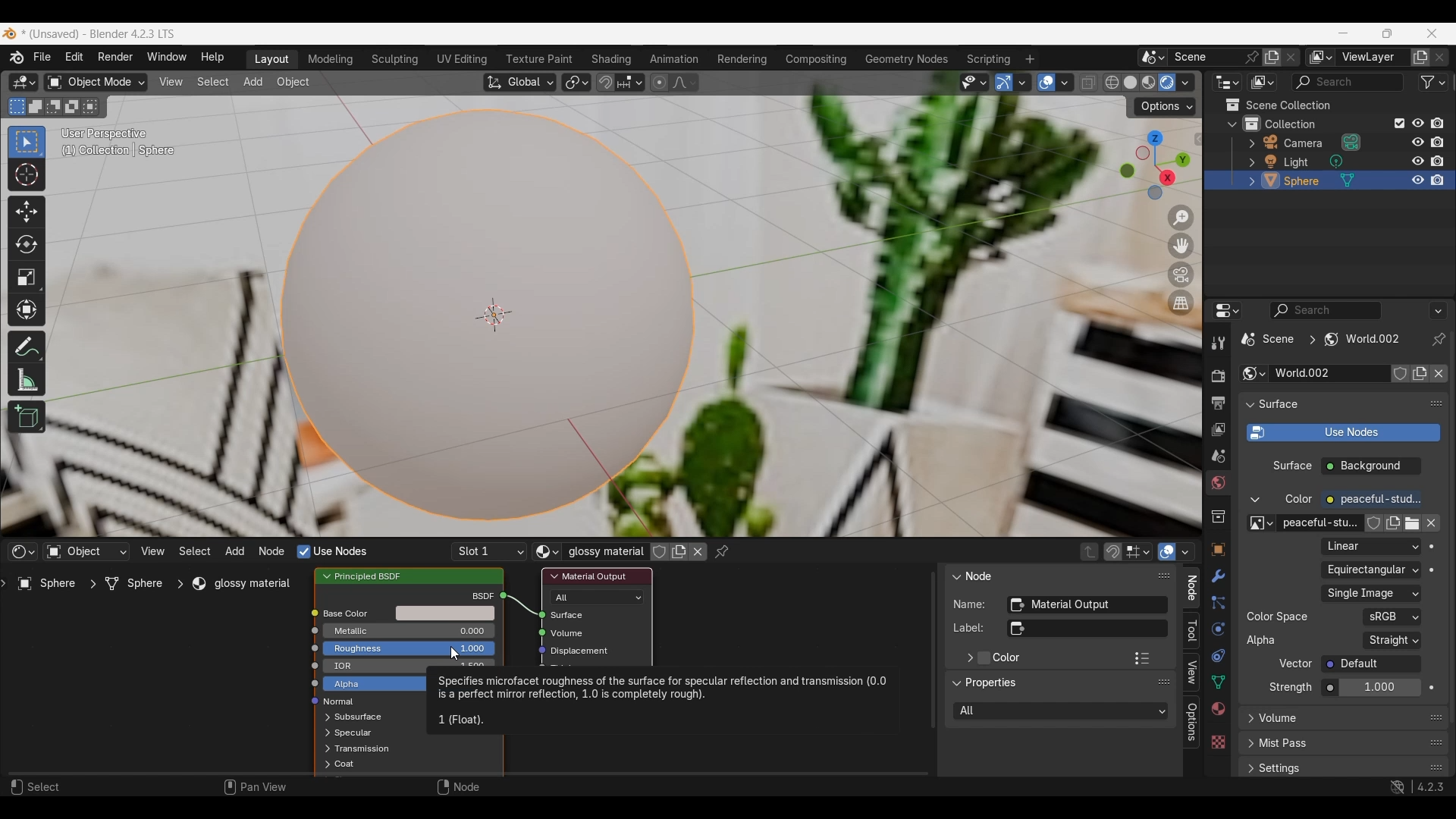 This screenshot has width=1456, height=819. What do you see at coordinates (1348, 180) in the screenshot?
I see `Sphere mesh options` at bounding box center [1348, 180].